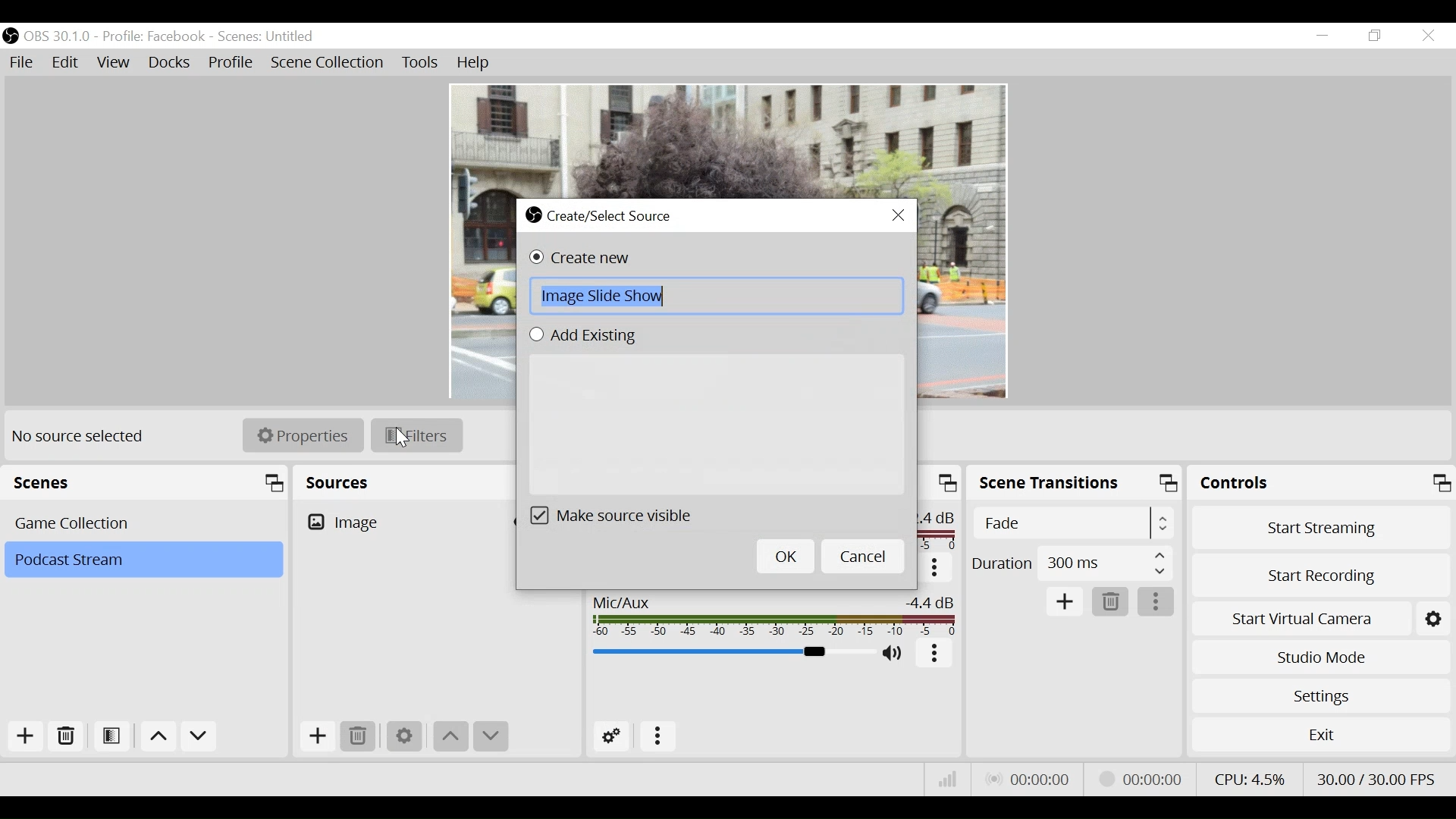  I want to click on Help, so click(474, 63).